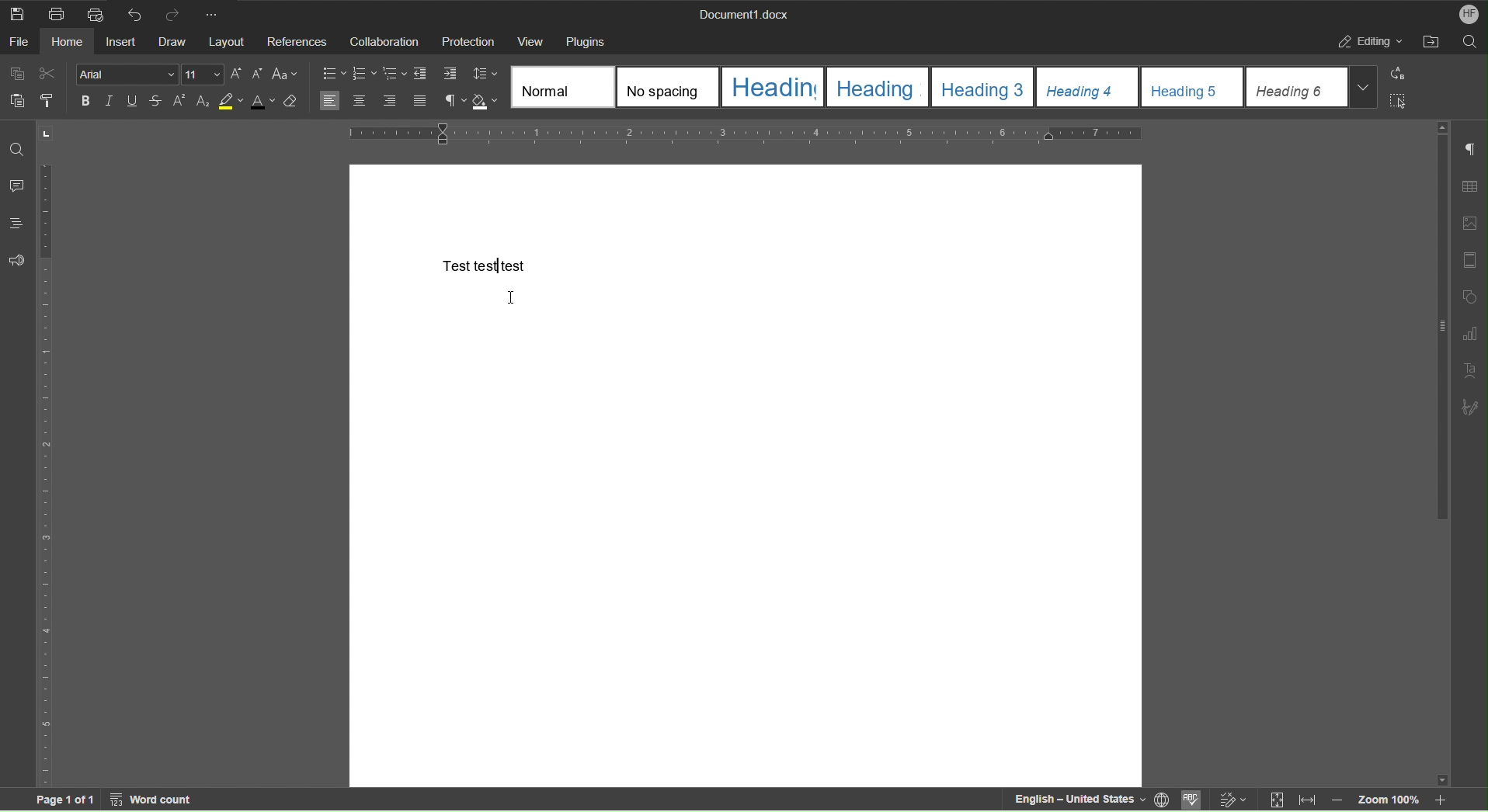 The height and width of the screenshot is (812, 1488). I want to click on More, so click(214, 12).